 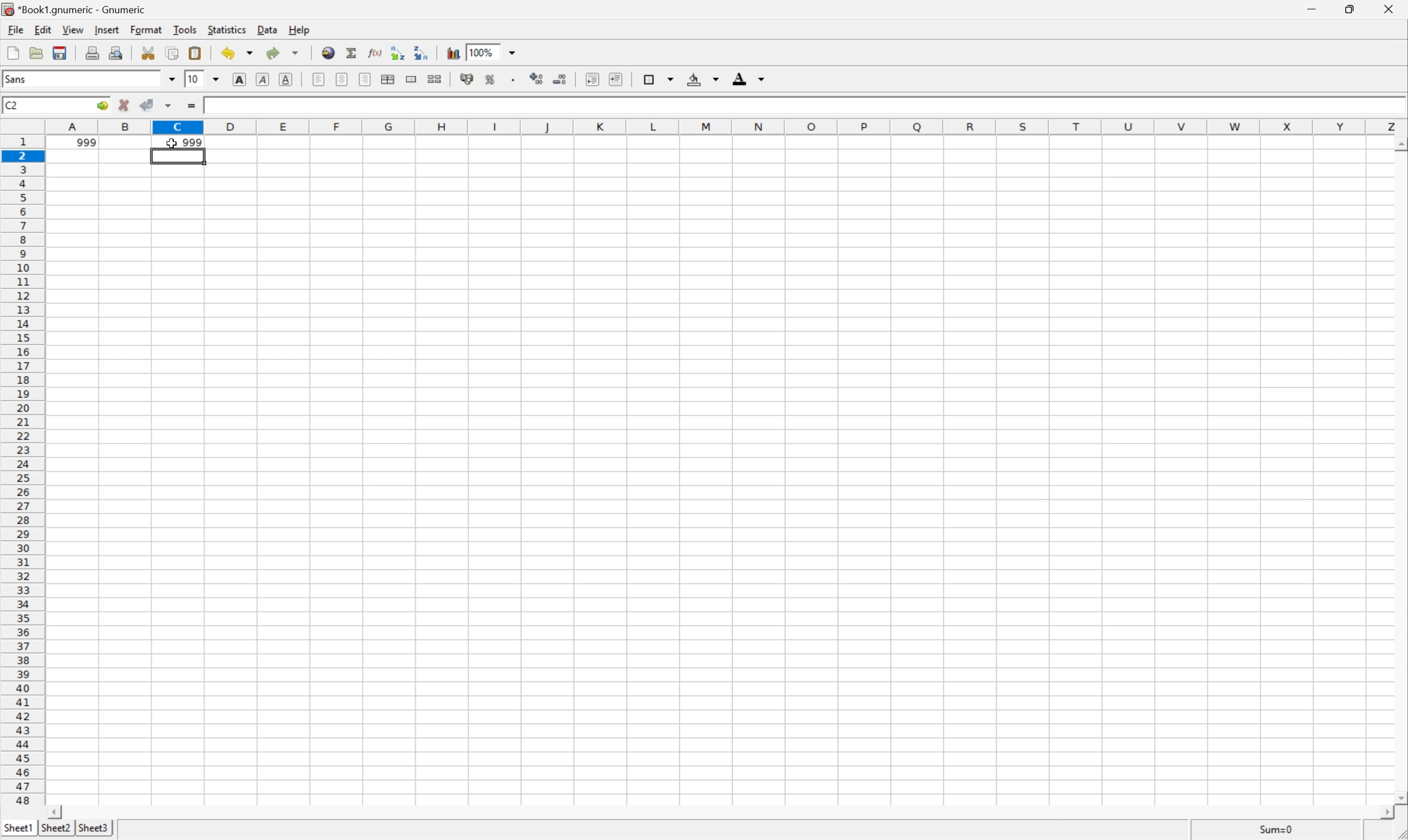 I want to click on merge a range of cells, so click(x=411, y=80).